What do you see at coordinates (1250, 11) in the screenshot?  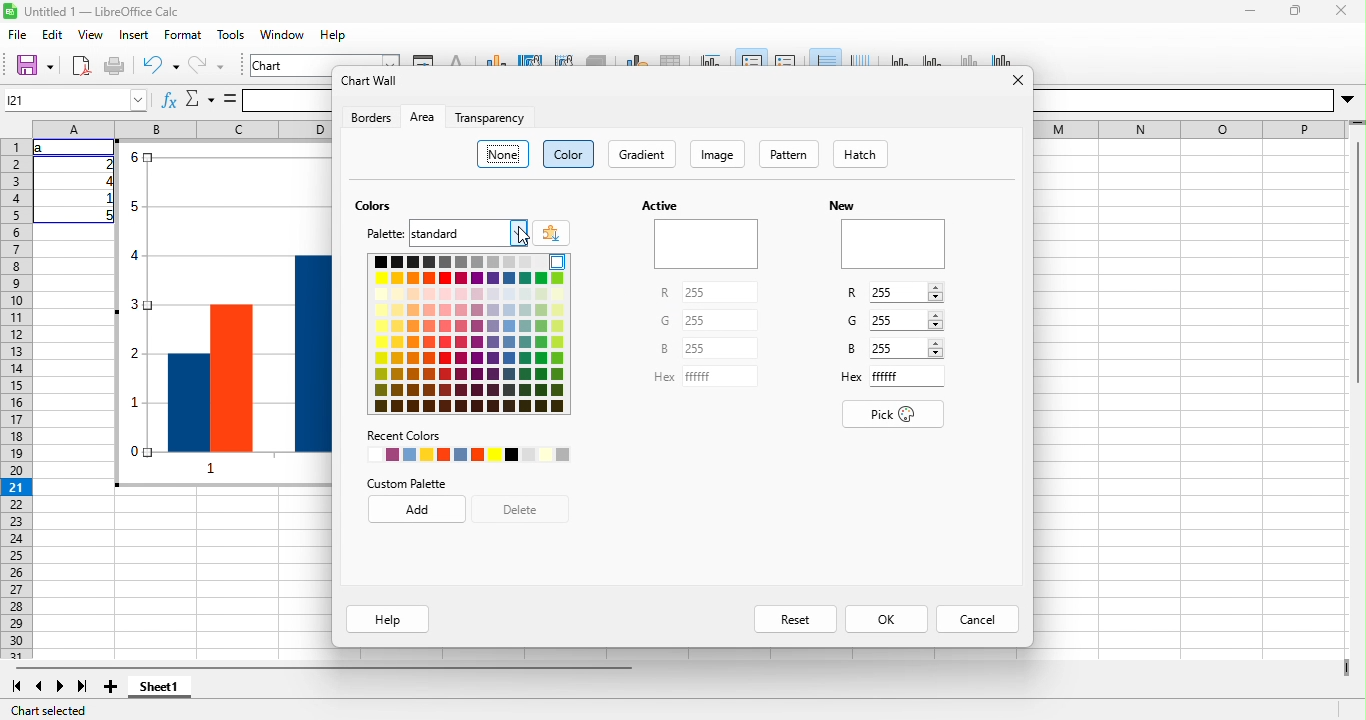 I see `minimize` at bounding box center [1250, 11].